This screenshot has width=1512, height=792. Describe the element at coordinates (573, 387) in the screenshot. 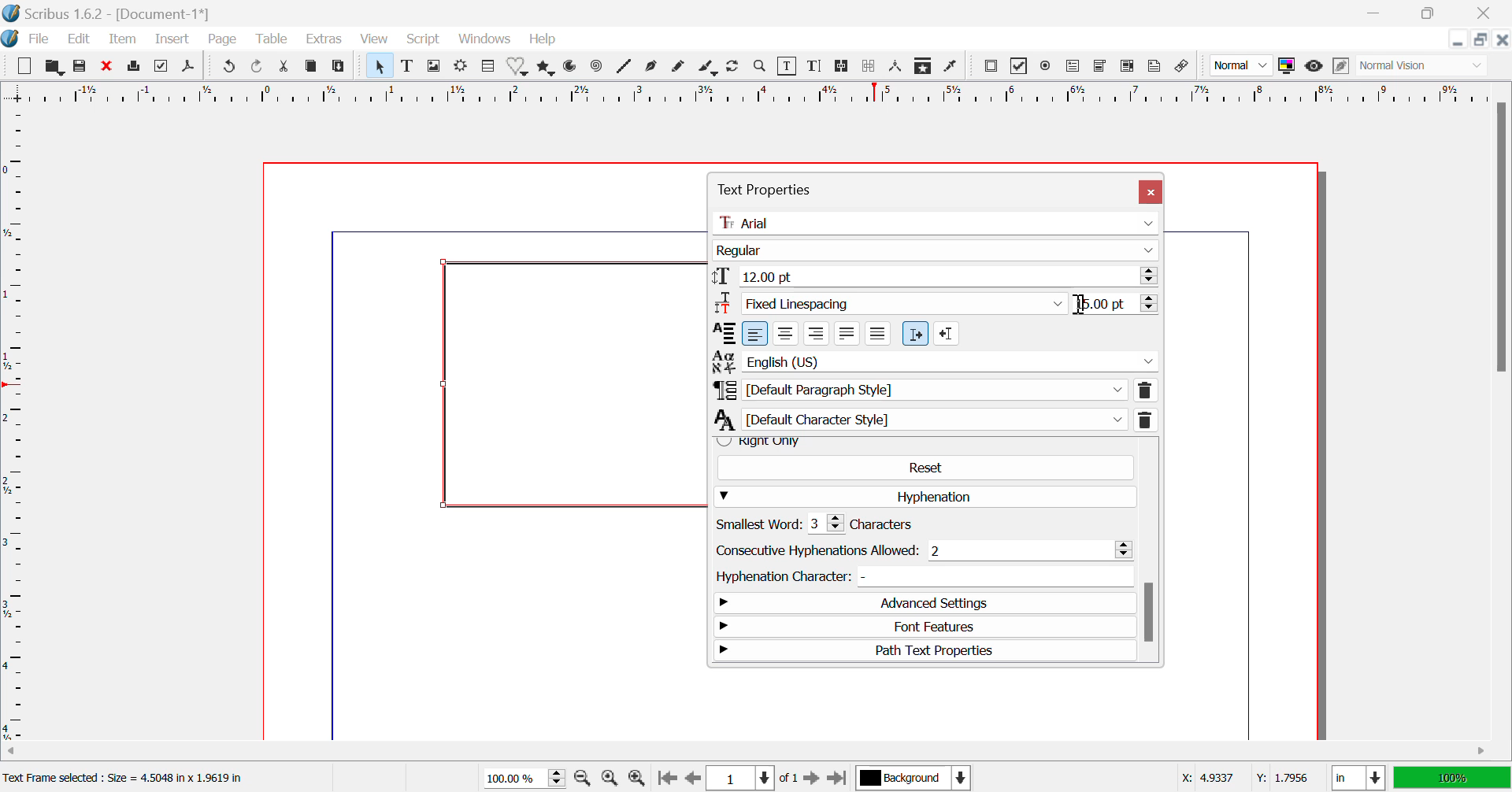

I see `textbox` at that location.